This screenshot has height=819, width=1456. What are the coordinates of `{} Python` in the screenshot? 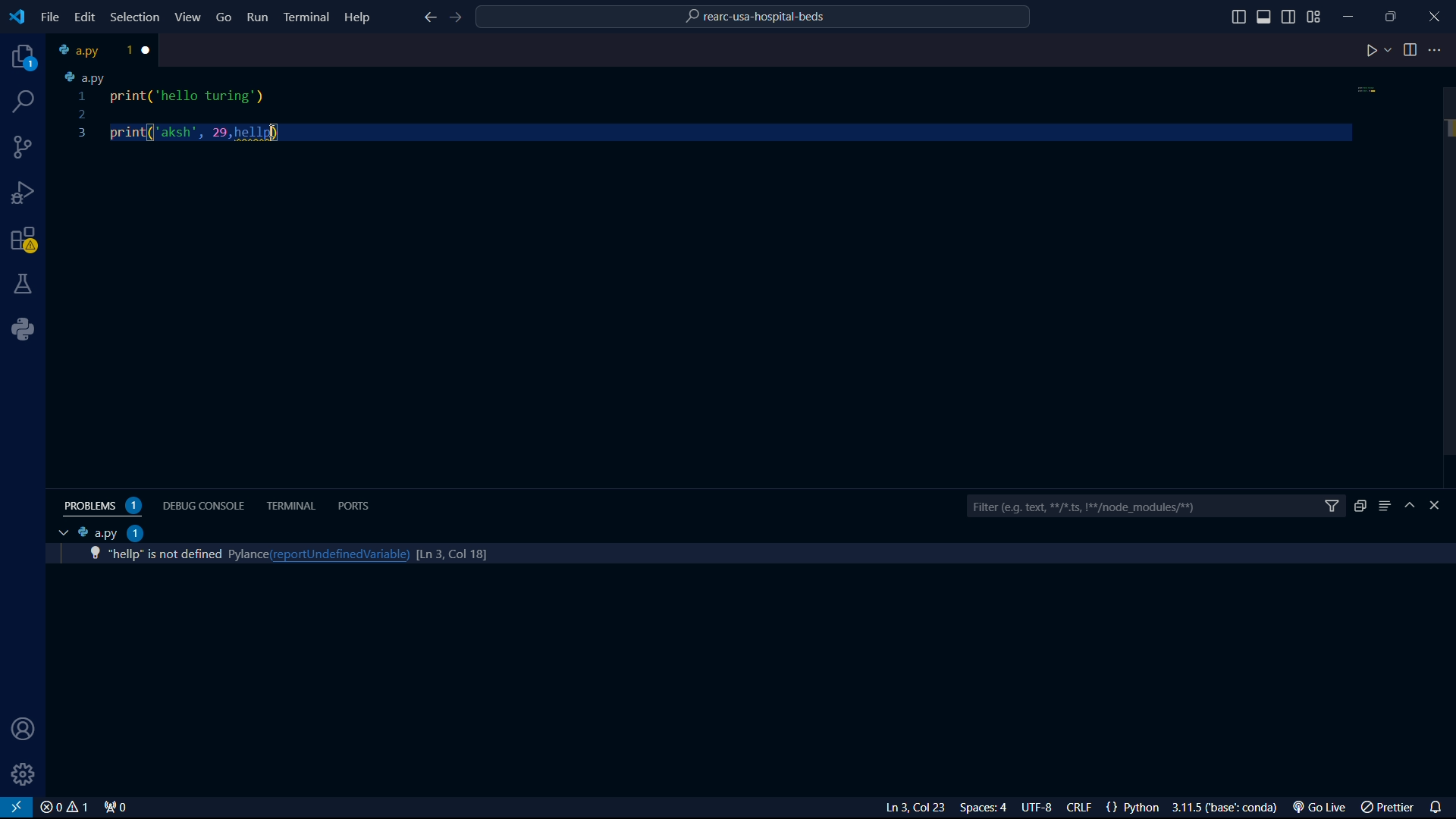 It's located at (1135, 808).